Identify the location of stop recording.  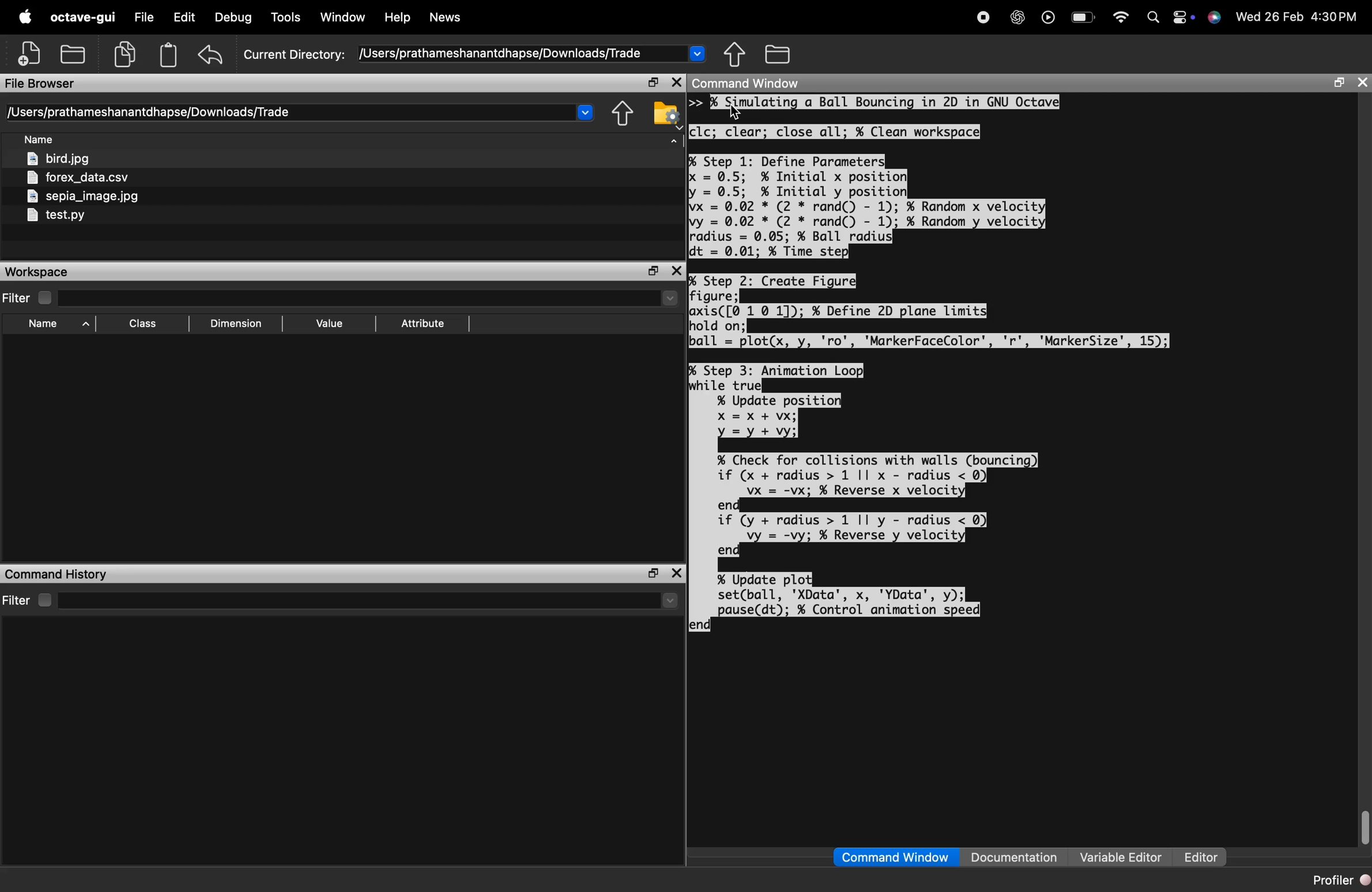
(984, 17).